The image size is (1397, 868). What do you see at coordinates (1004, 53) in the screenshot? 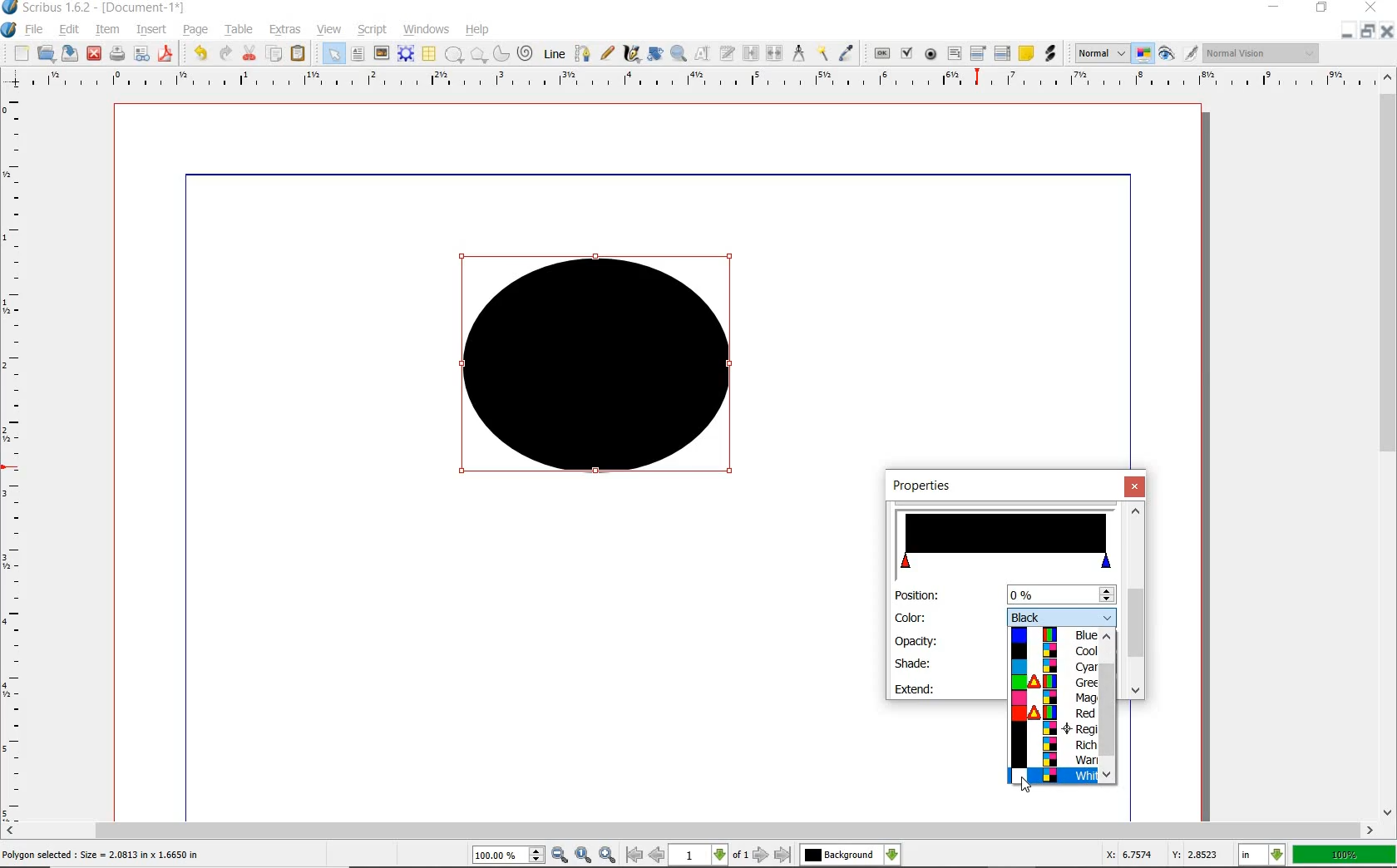
I see `PDF LIST BOX` at bounding box center [1004, 53].